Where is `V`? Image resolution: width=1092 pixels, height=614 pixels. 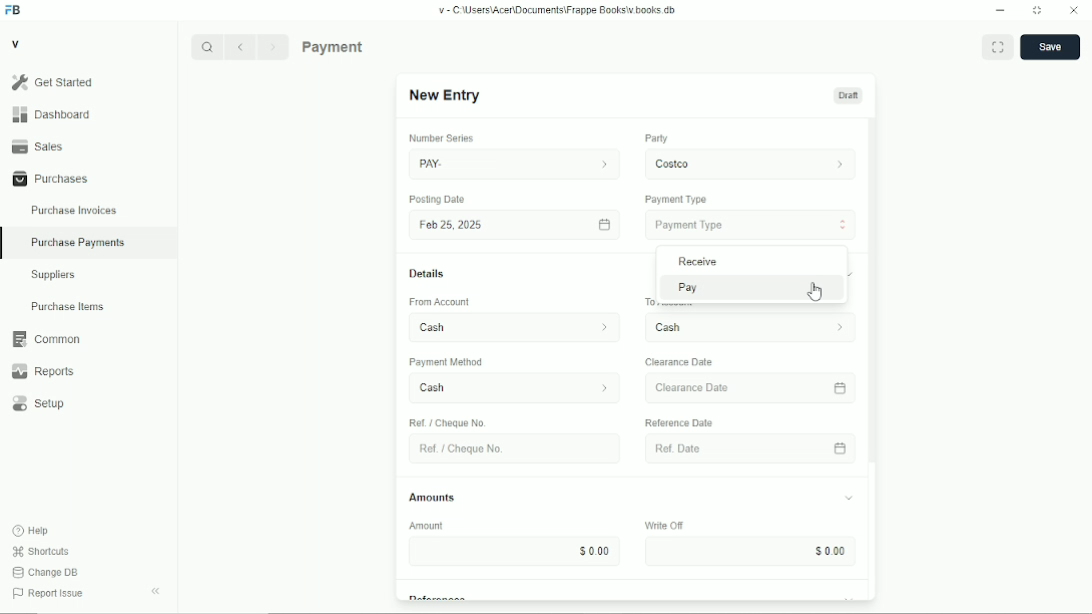 V is located at coordinates (16, 43).